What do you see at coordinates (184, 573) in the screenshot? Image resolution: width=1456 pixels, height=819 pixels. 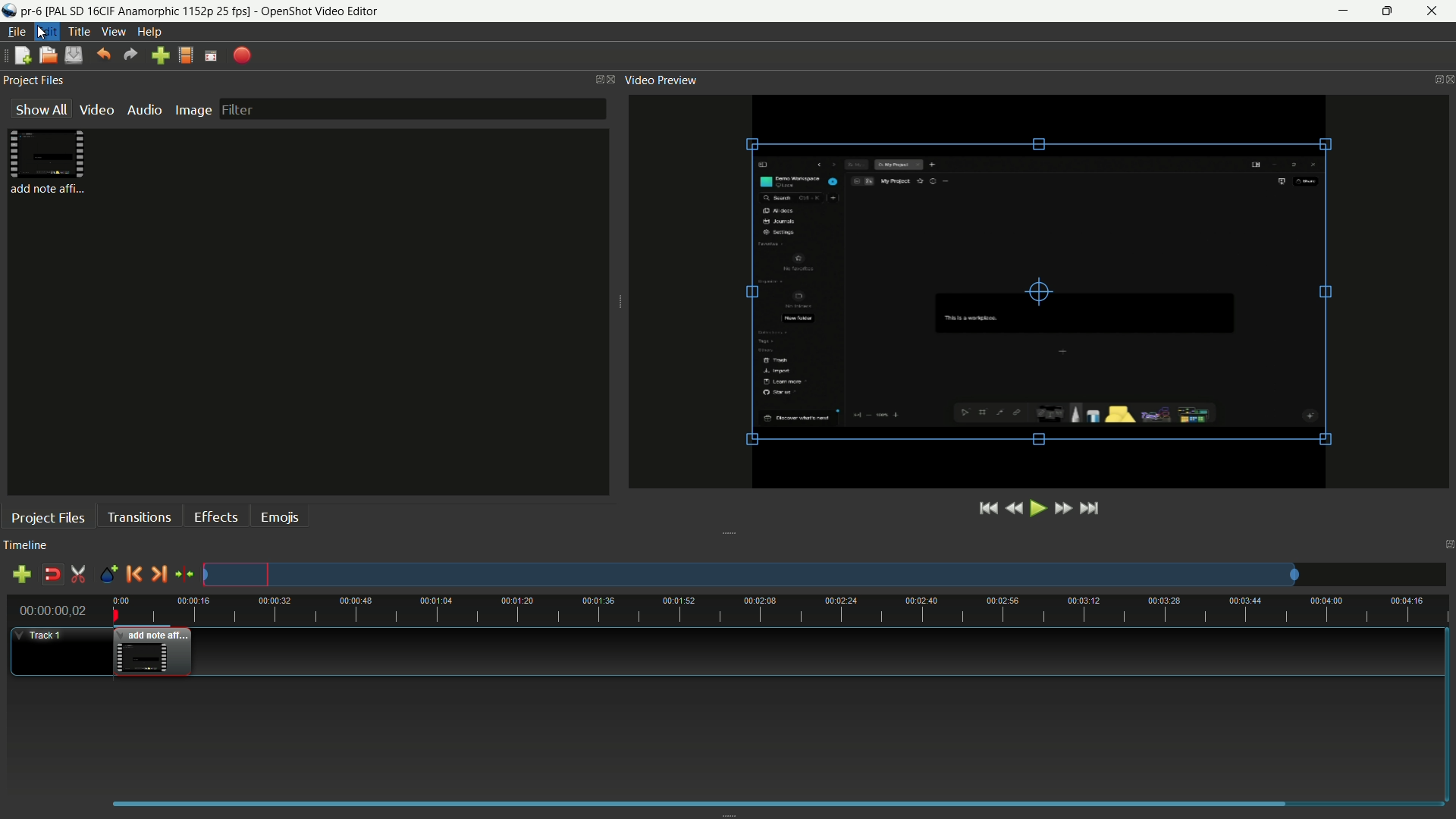 I see `center the timeline on the playhead` at bounding box center [184, 573].